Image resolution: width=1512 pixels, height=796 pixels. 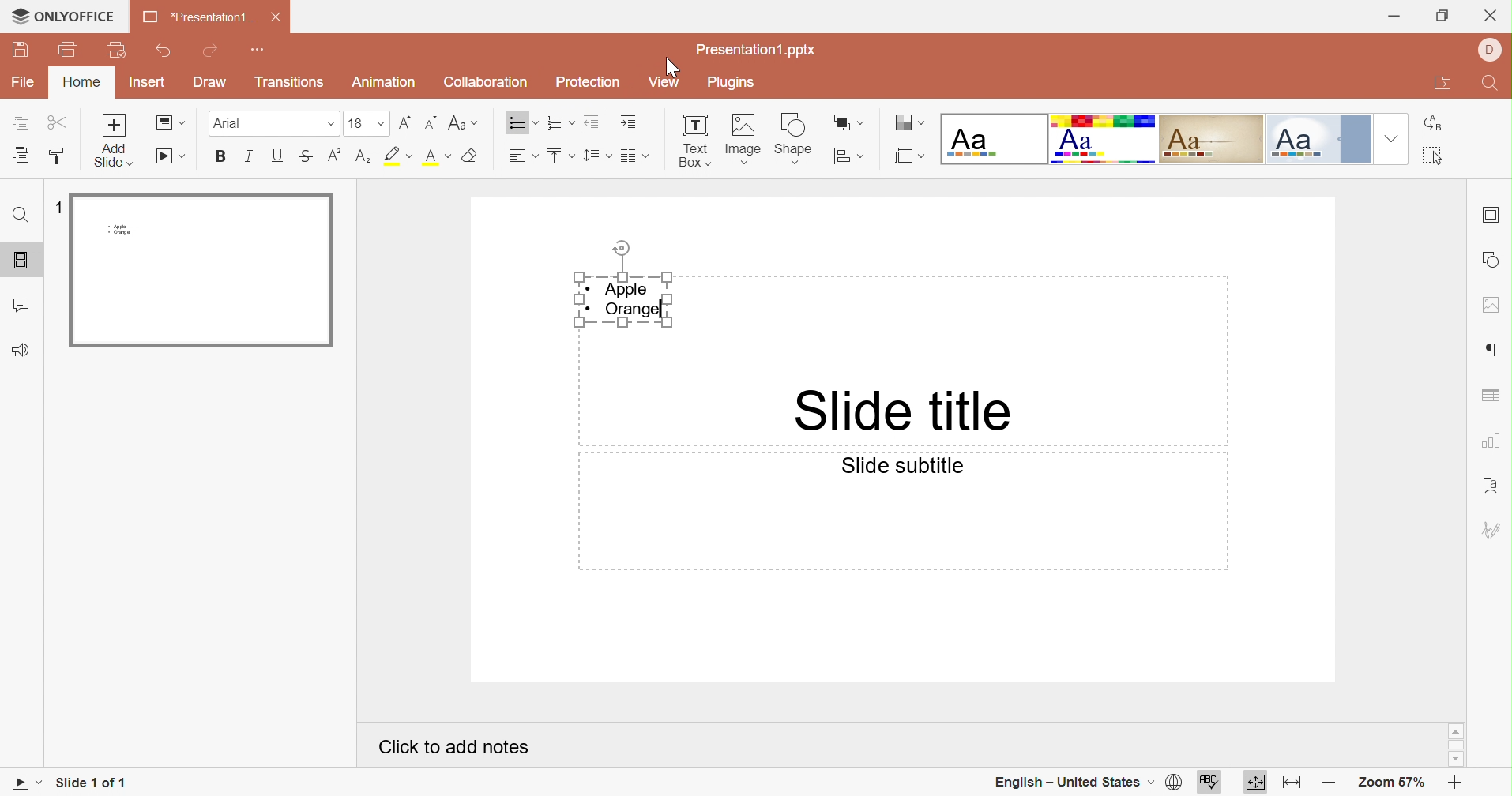 I want to click on bullets, so click(x=517, y=124).